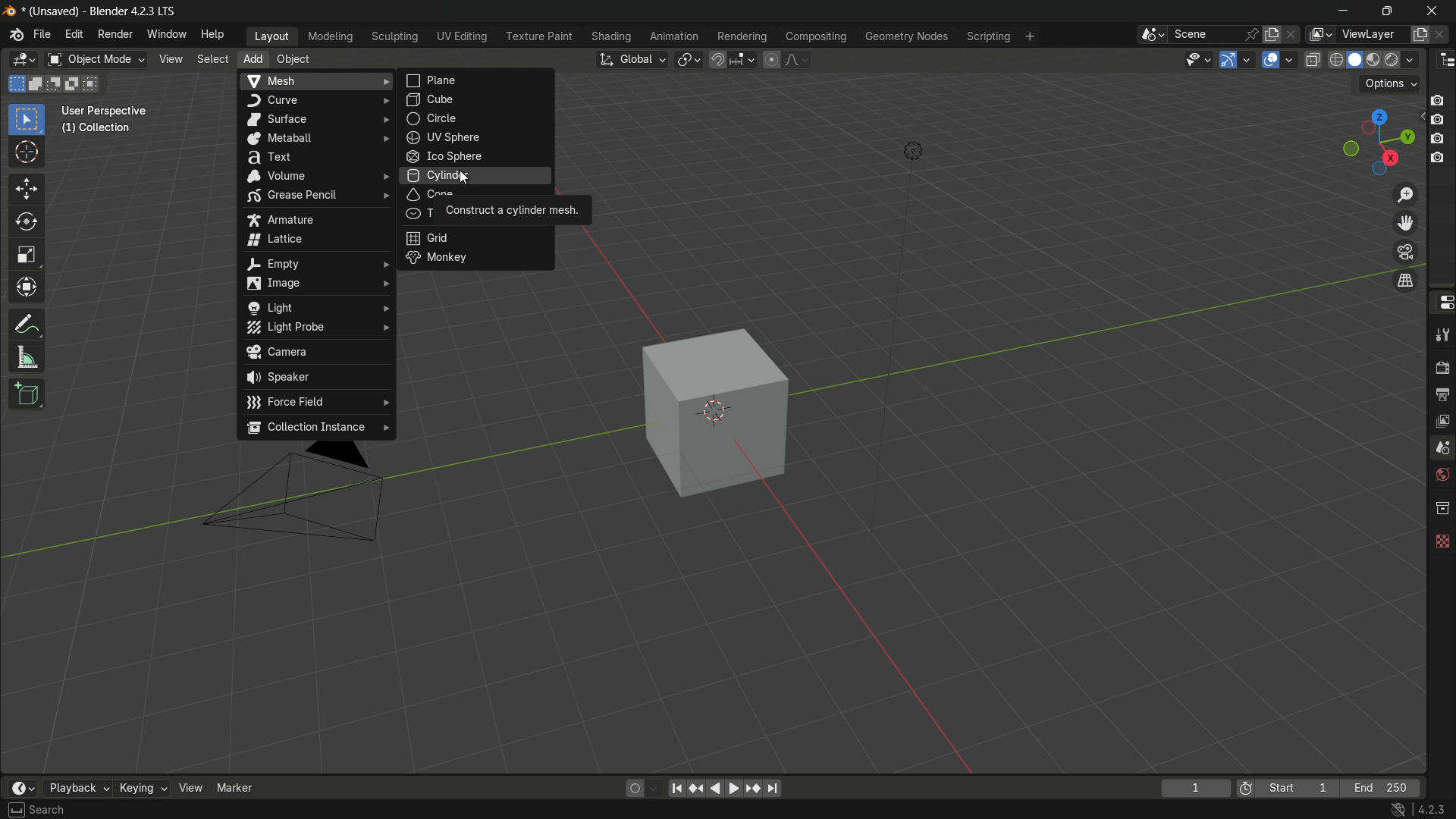  Describe the element at coordinates (1376, 61) in the screenshot. I see `material preview` at that location.